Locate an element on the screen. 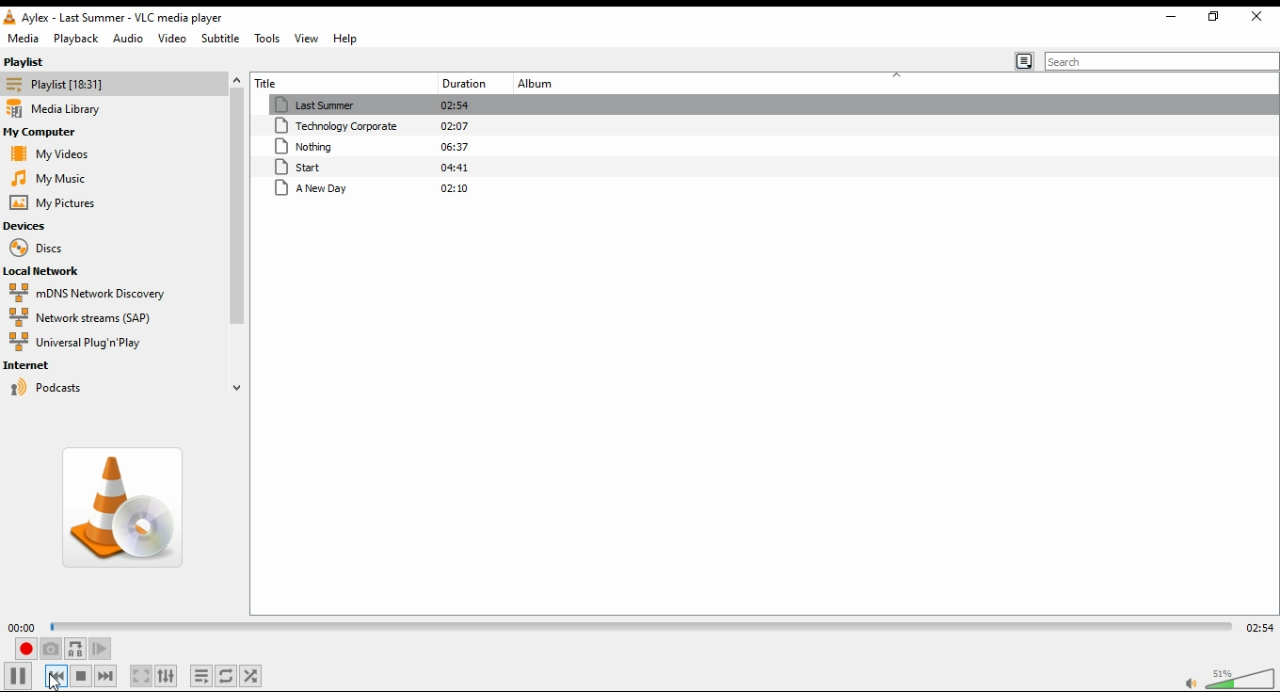 This screenshot has height=692, width=1280. toggle video in fullscreen is located at coordinates (140, 676).